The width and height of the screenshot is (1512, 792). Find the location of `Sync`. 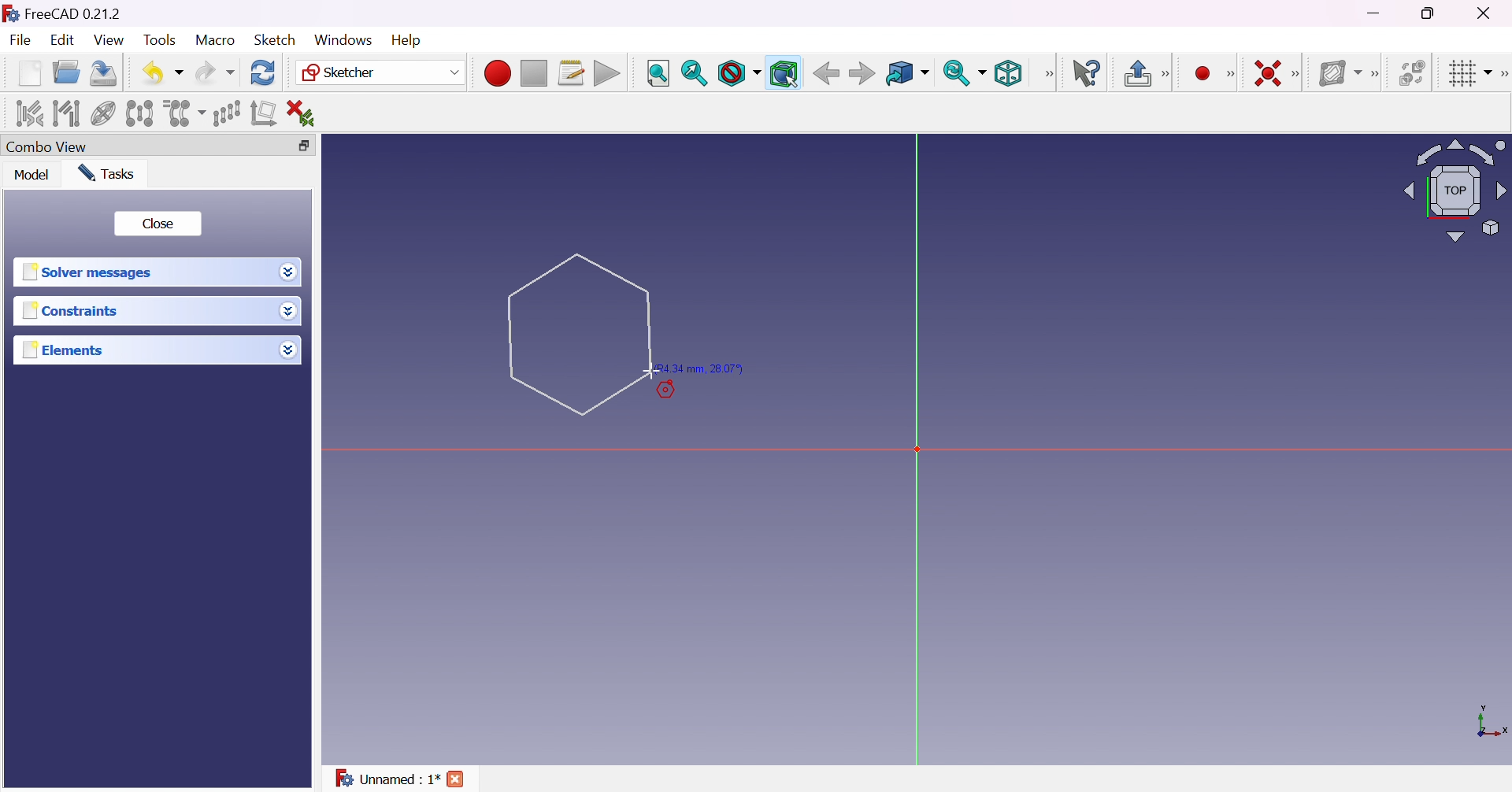

Sync is located at coordinates (964, 72).